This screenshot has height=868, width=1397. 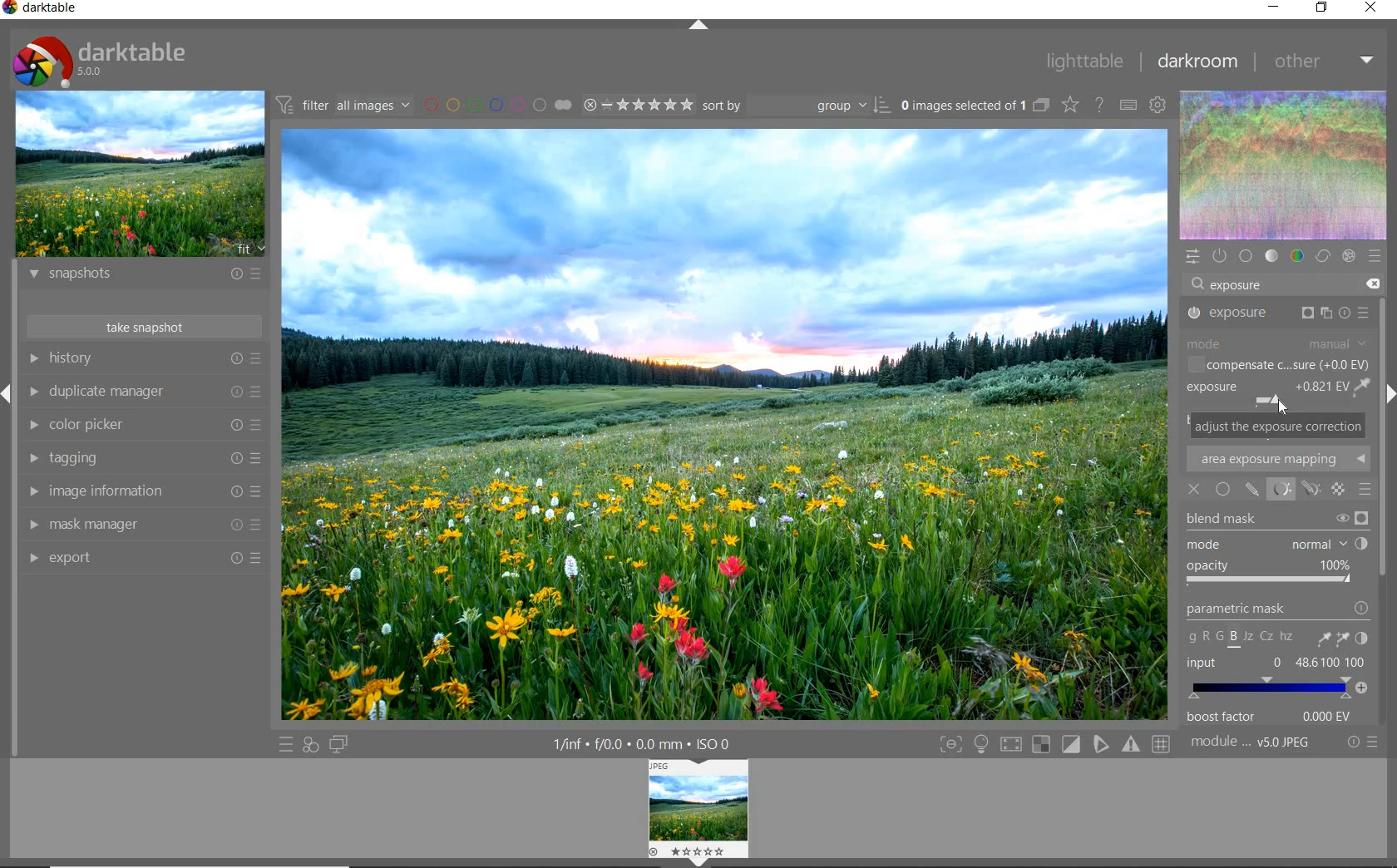 I want to click on quick access panel, so click(x=1191, y=257).